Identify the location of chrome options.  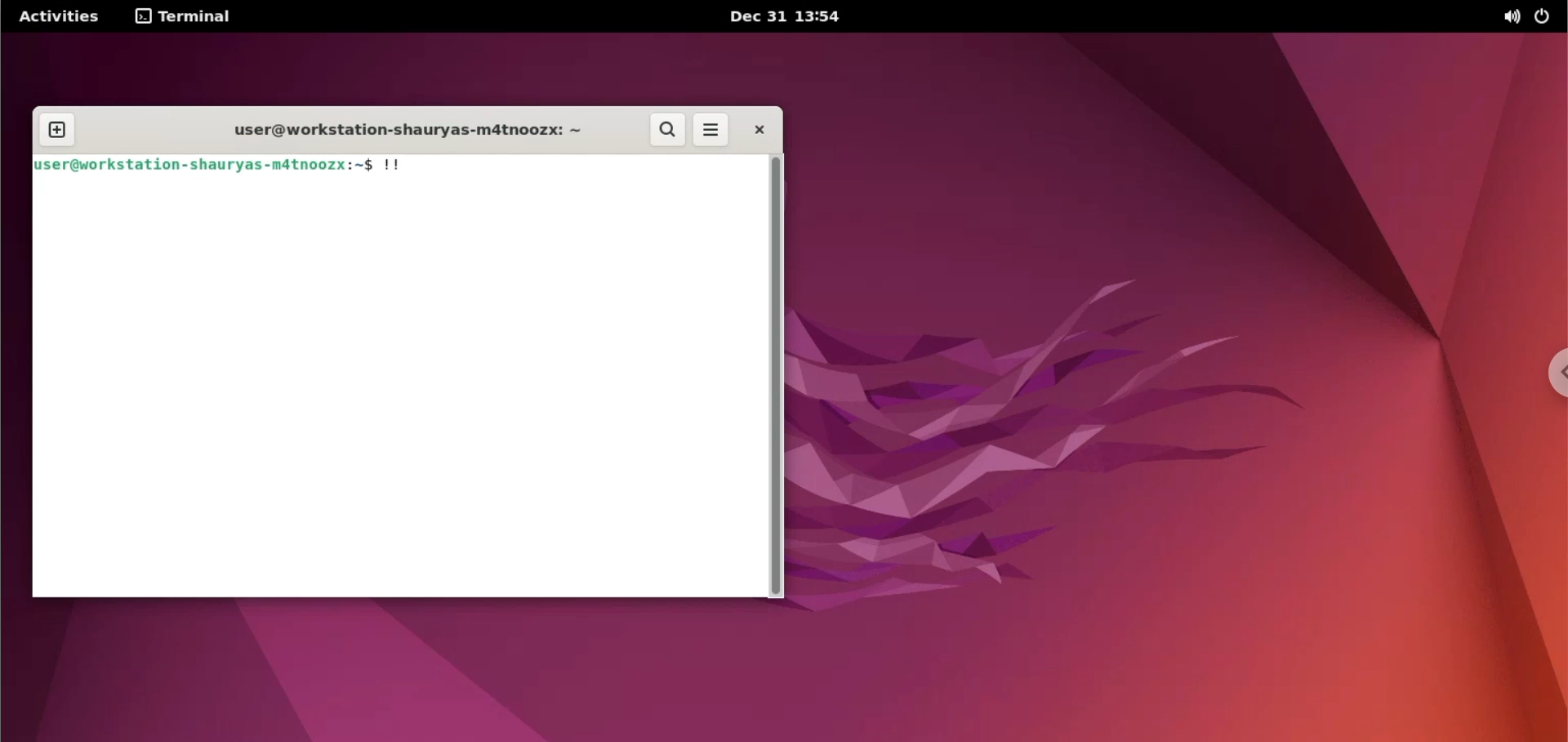
(1552, 374).